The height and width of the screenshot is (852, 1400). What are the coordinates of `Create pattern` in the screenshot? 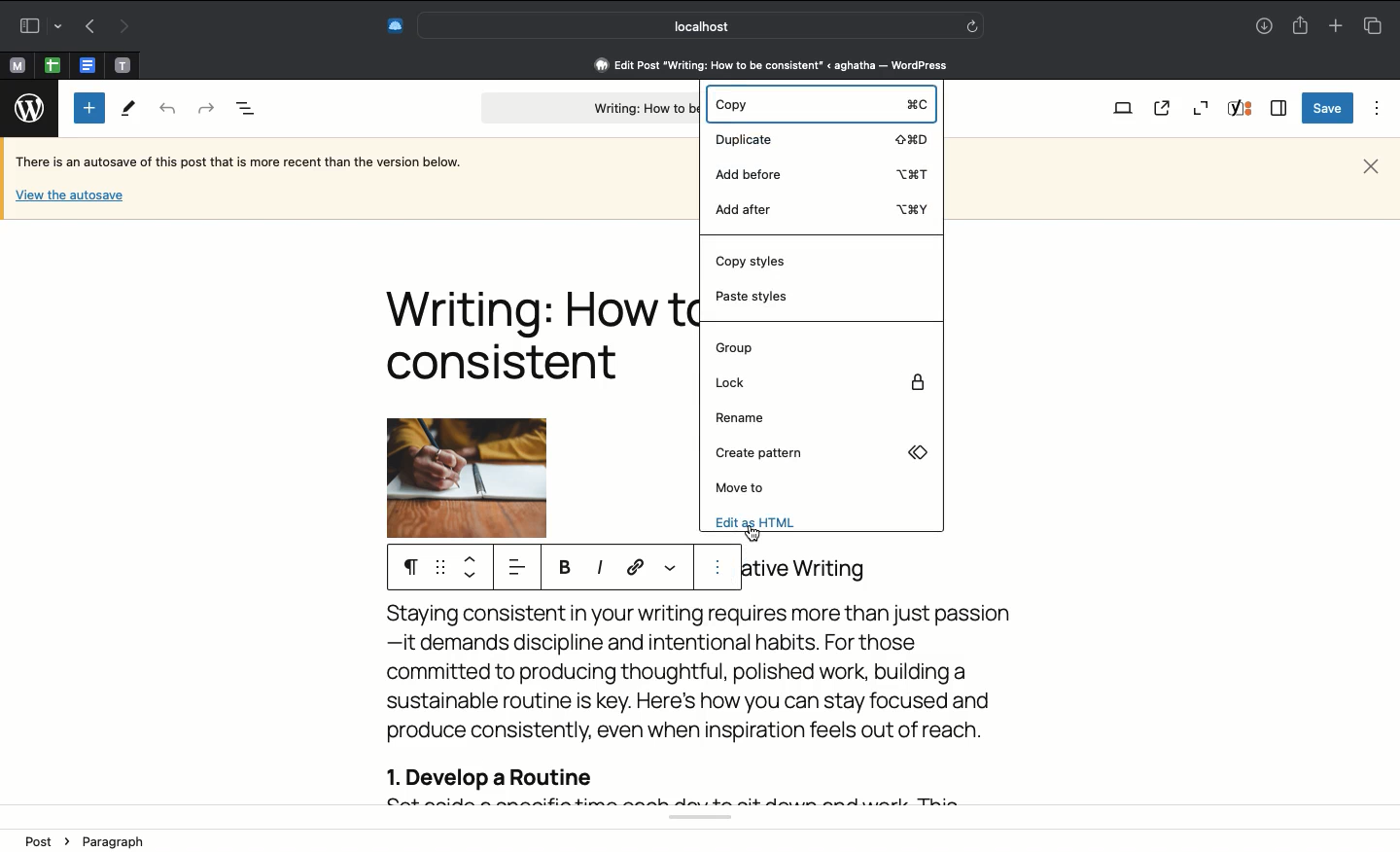 It's located at (820, 455).